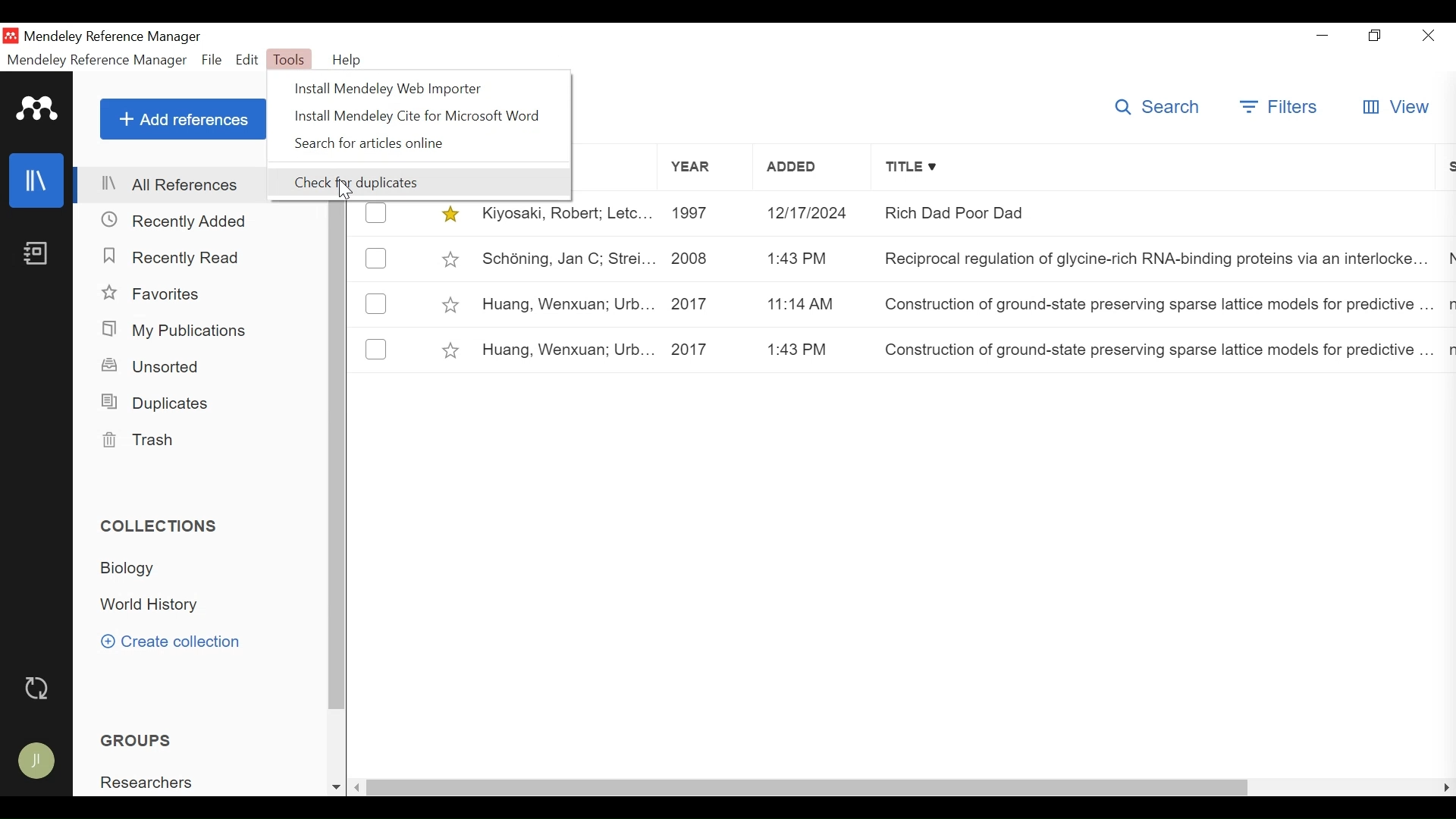 This screenshot has height=819, width=1456. What do you see at coordinates (808, 789) in the screenshot?
I see `horizontal Scroll bar` at bounding box center [808, 789].